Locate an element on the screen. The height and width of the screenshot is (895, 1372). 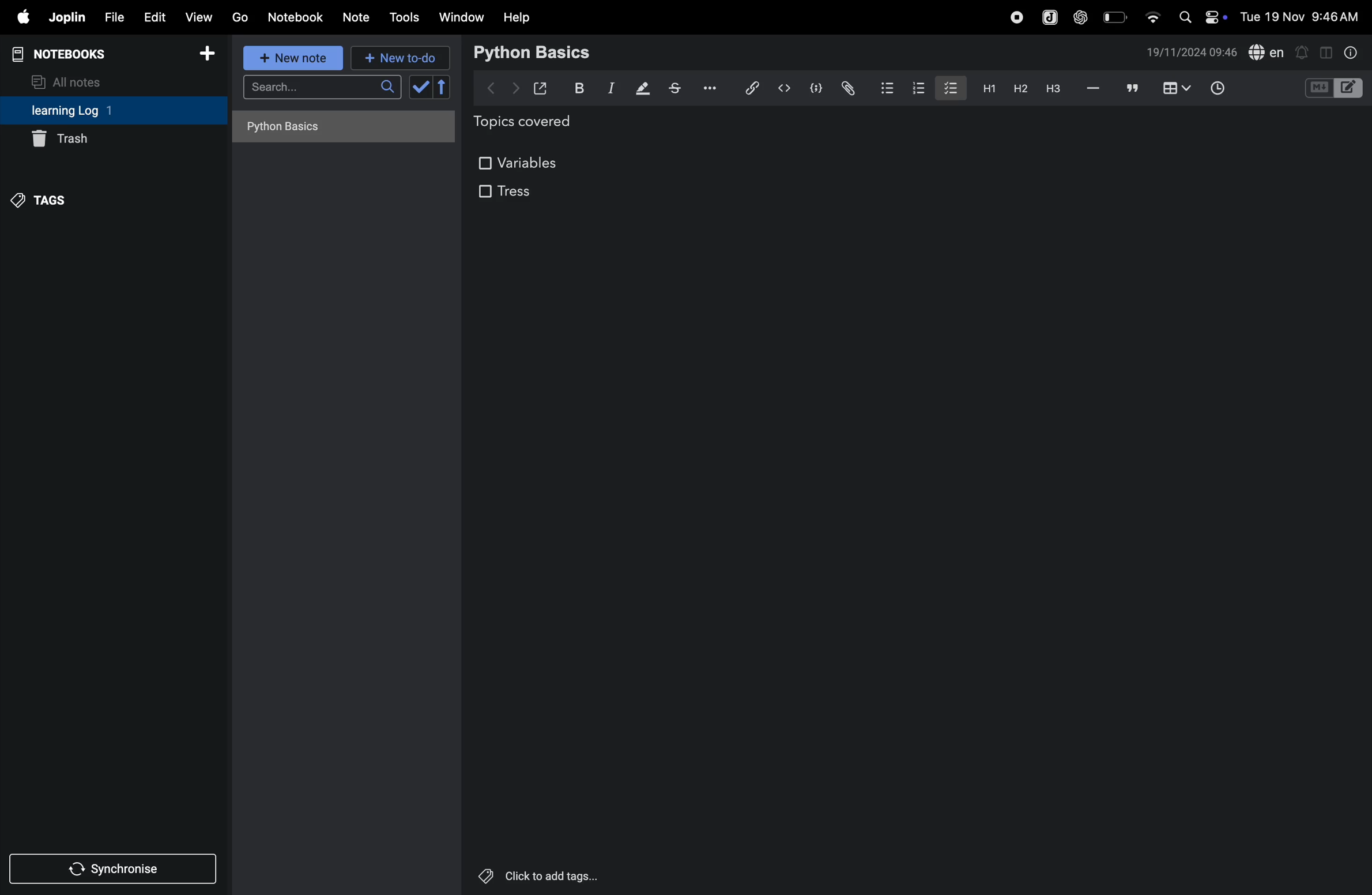
window is located at coordinates (462, 17).